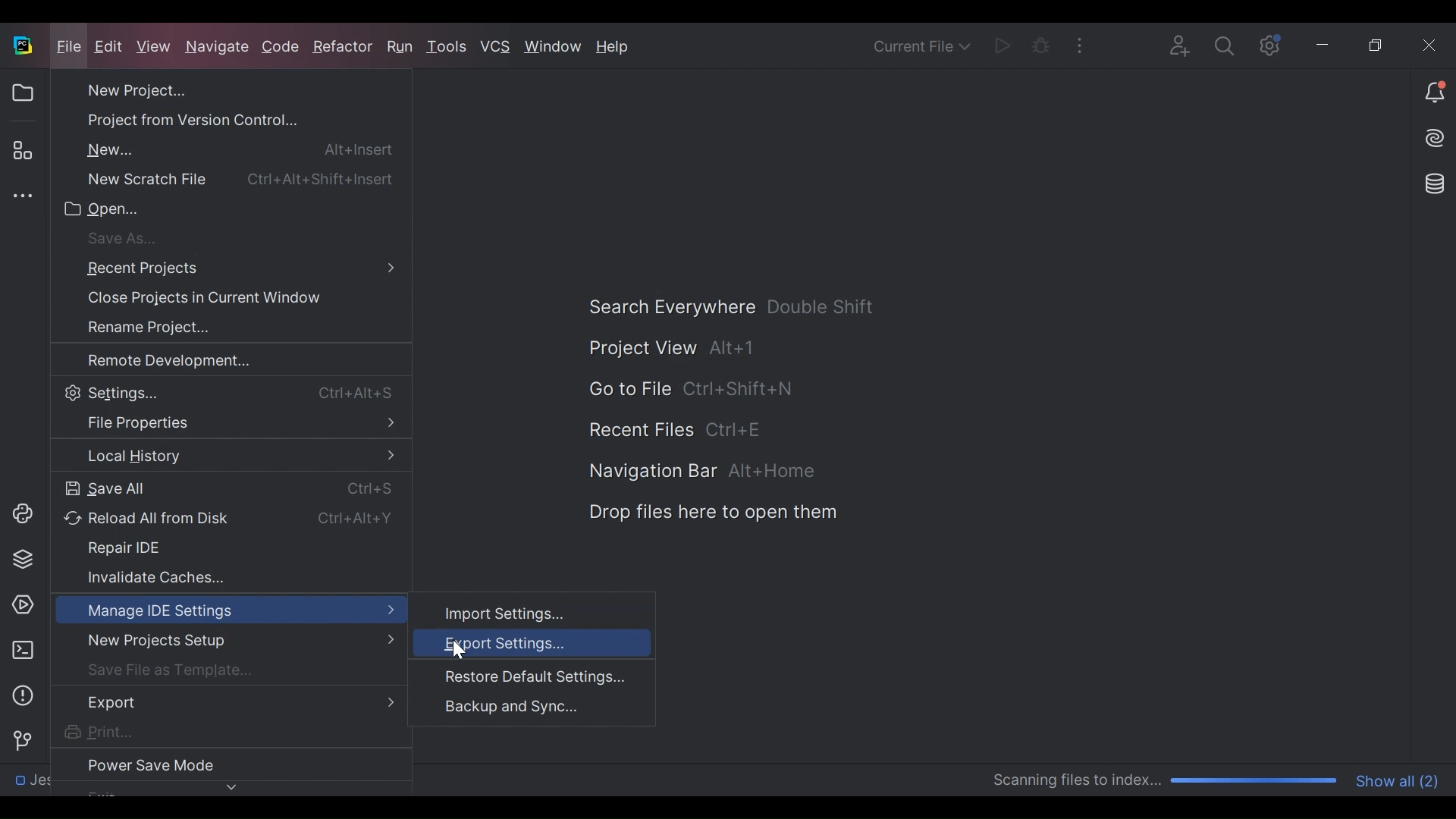 Image resolution: width=1456 pixels, height=819 pixels. Describe the element at coordinates (209, 576) in the screenshot. I see `invalidate Caches` at that location.